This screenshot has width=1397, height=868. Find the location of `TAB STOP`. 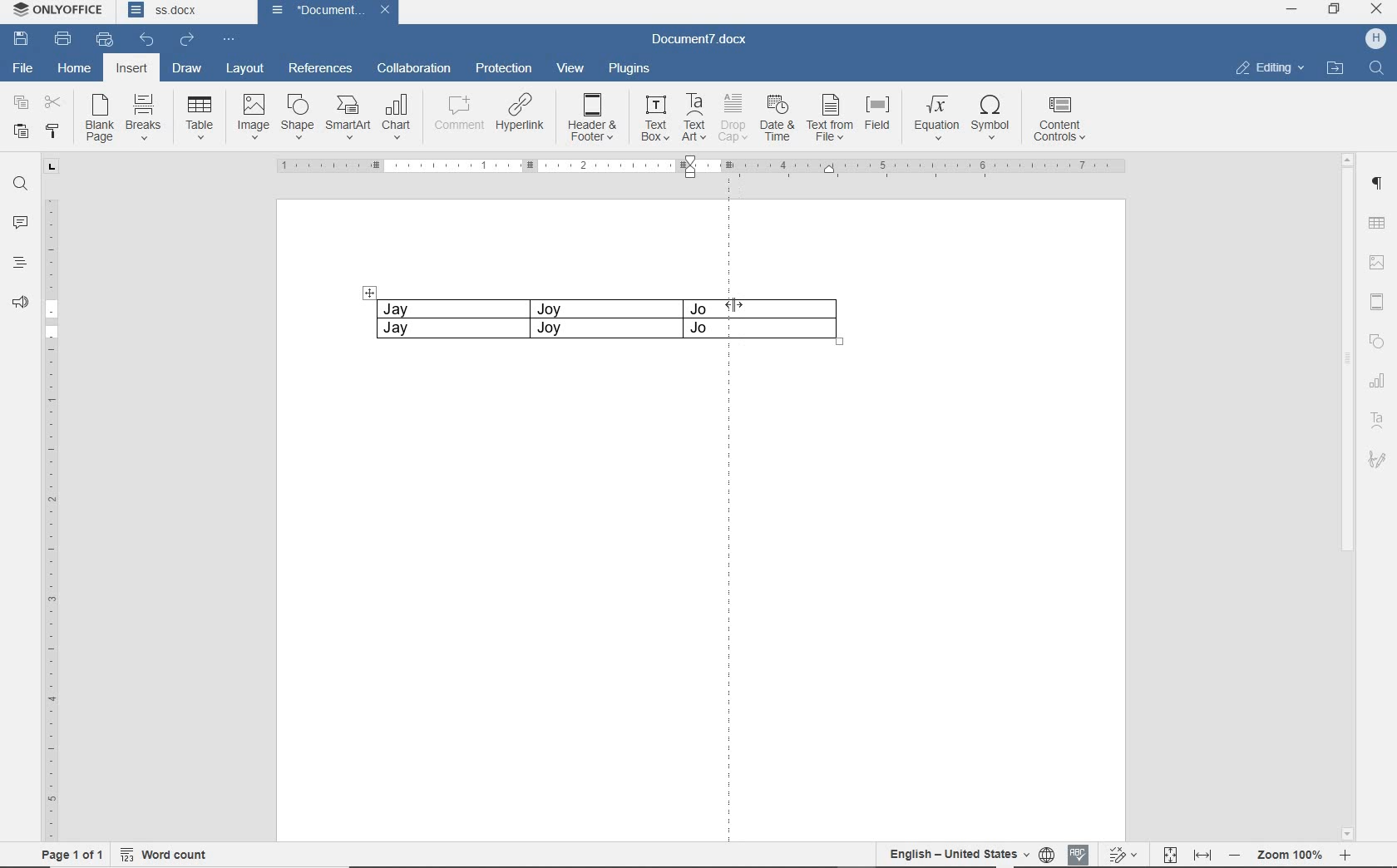

TAB STOP is located at coordinates (49, 168).